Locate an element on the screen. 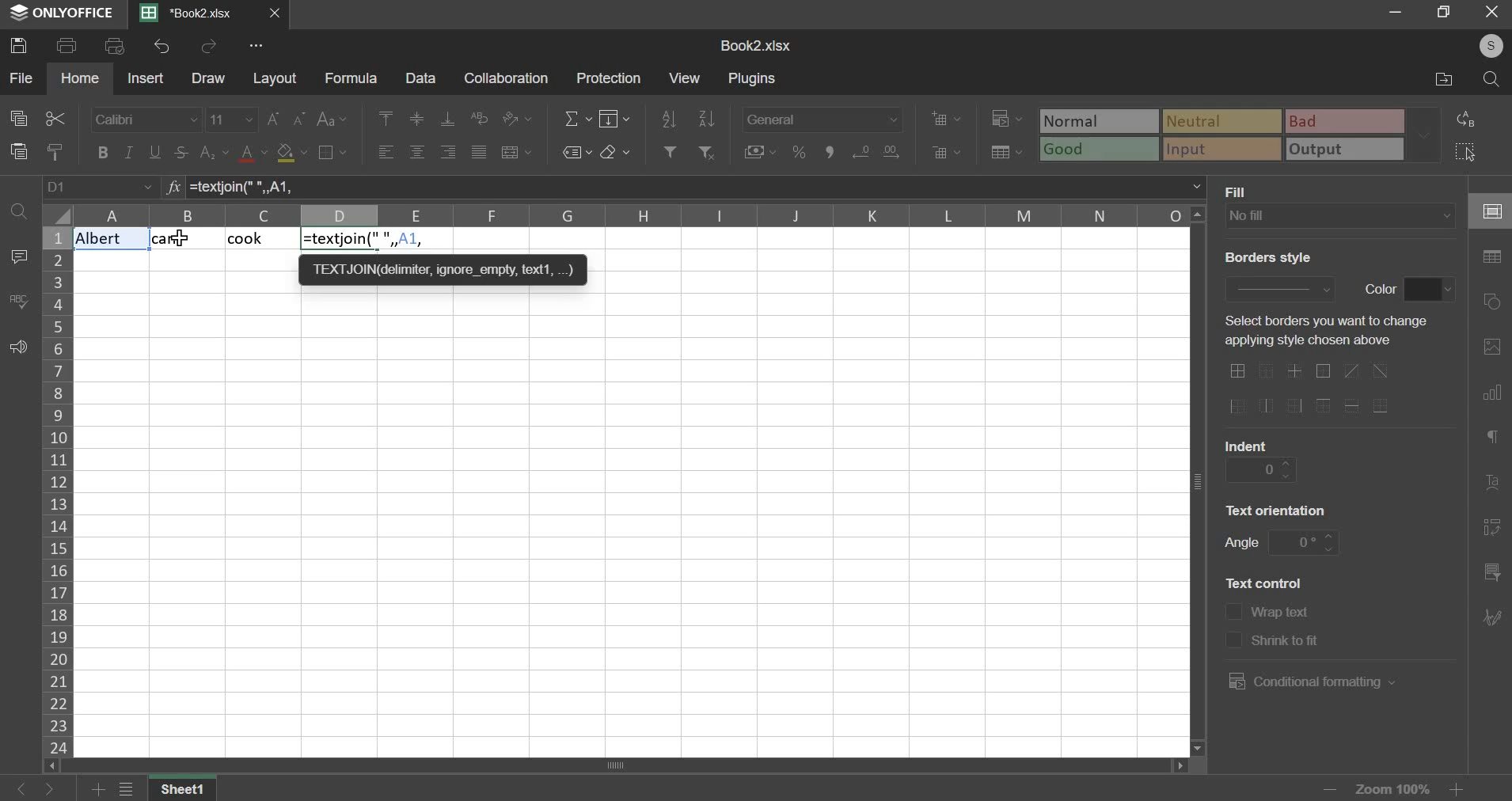 The height and width of the screenshot is (801, 1512). fill color is located at coordinates (291, 154).